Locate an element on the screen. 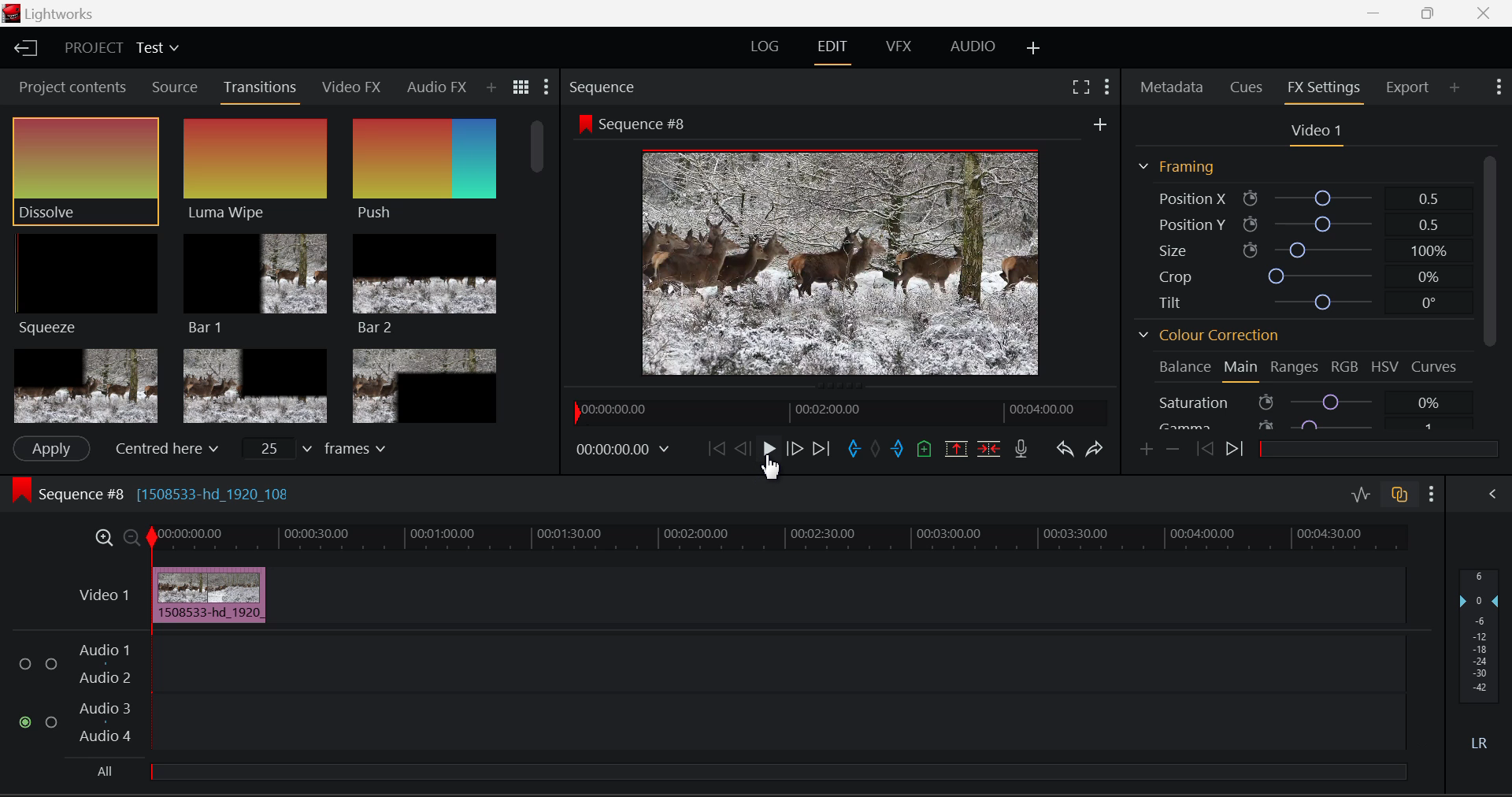 Image resolution: width=1512 pixels, height=797 pixels. Bar 1 is located at coordinates (256, 283).